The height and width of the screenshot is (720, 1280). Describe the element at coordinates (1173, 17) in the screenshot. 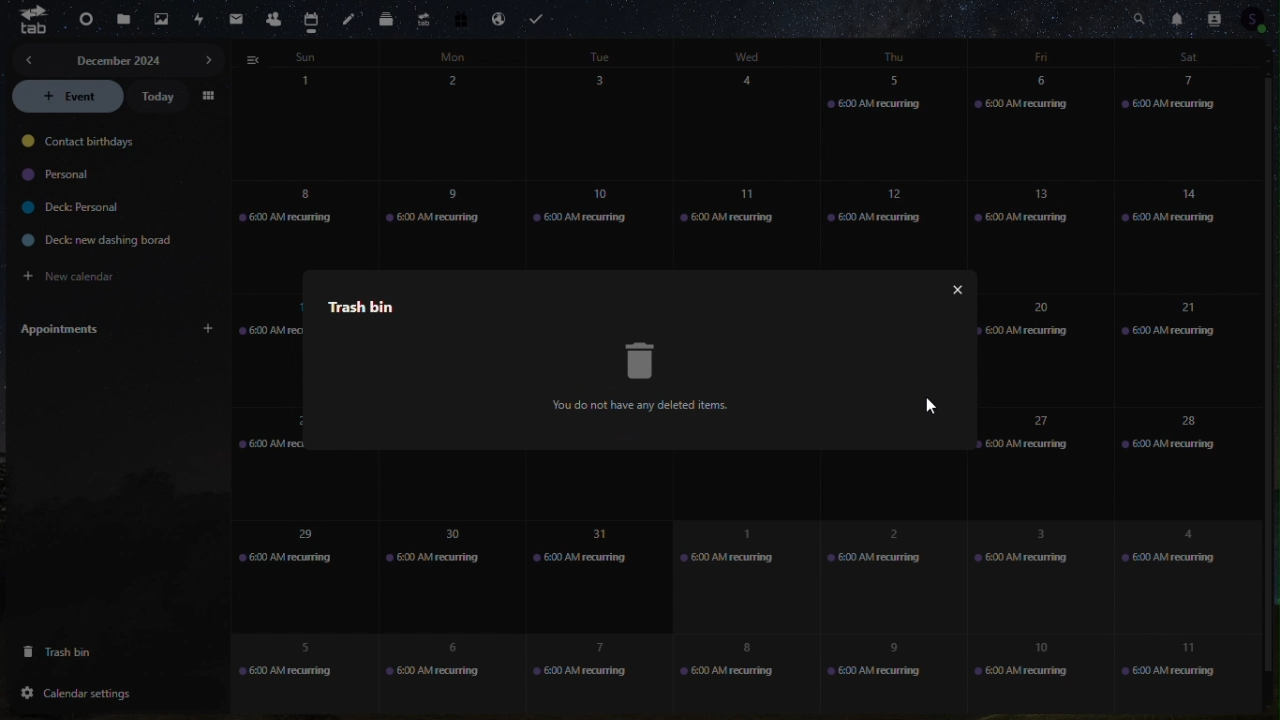

I see `notifications` at that location.